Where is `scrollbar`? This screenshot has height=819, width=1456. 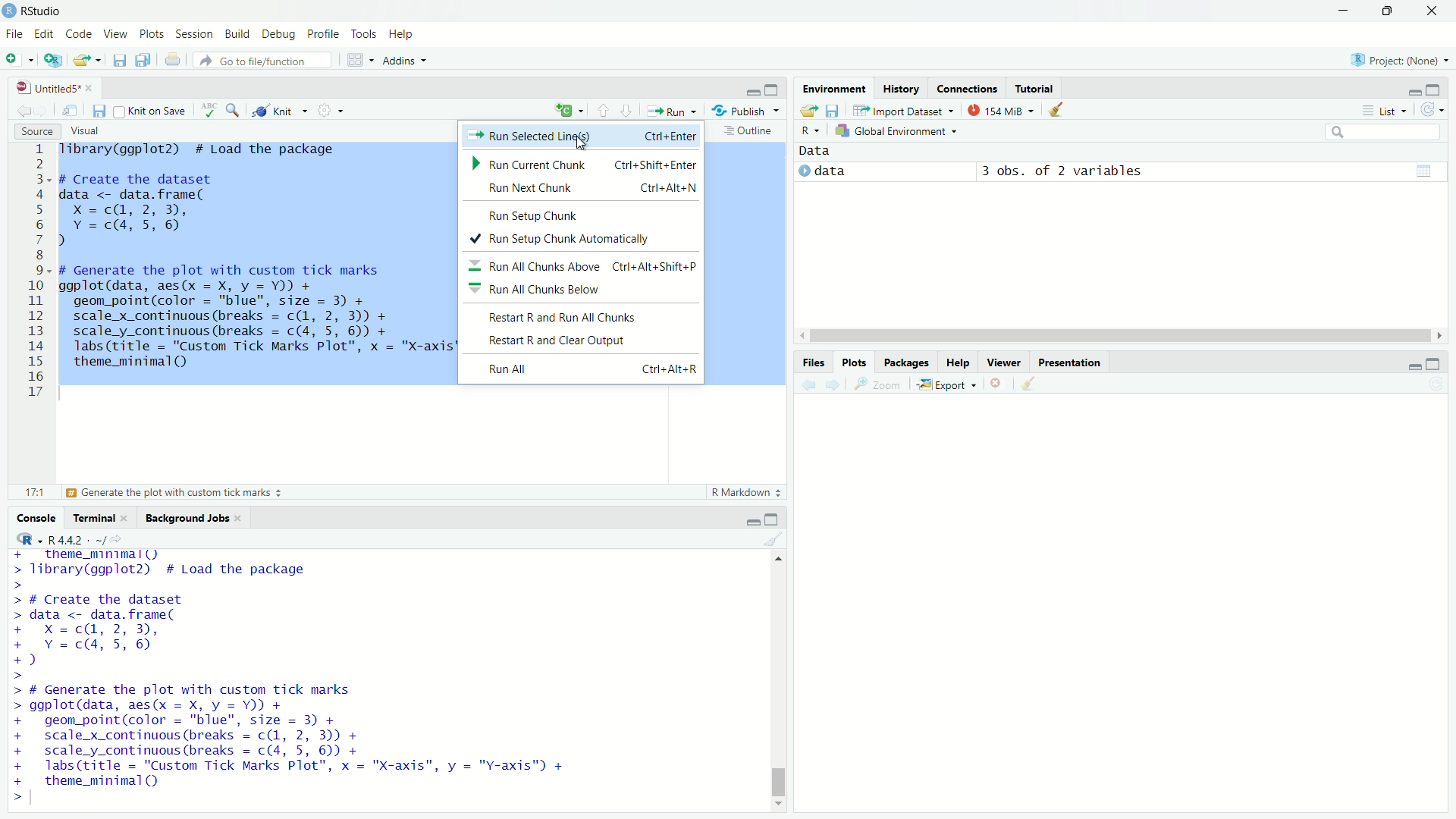
scrollbar is located at coordinates (777, 684).